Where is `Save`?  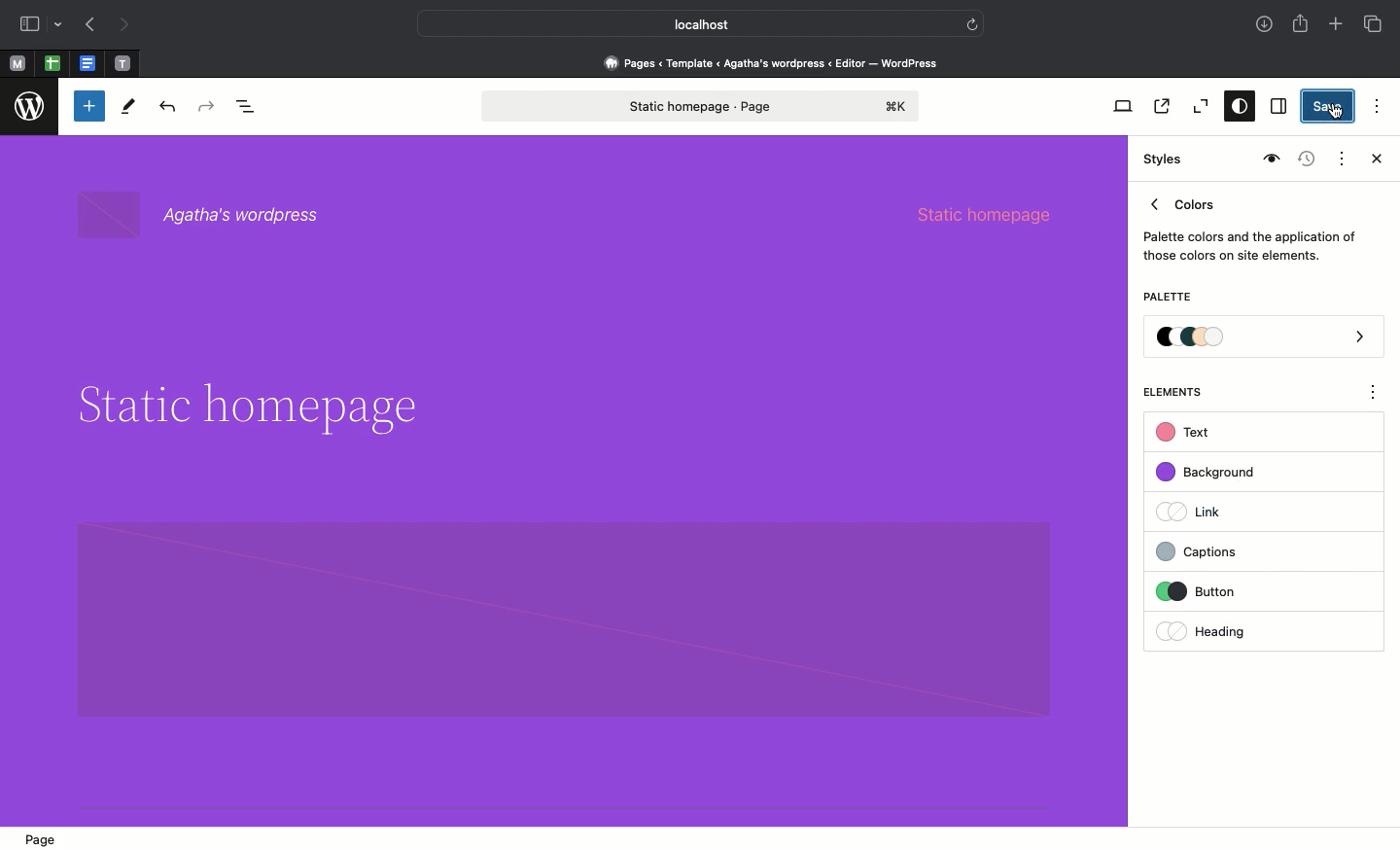
Save is located at coordinates (1330, 107).